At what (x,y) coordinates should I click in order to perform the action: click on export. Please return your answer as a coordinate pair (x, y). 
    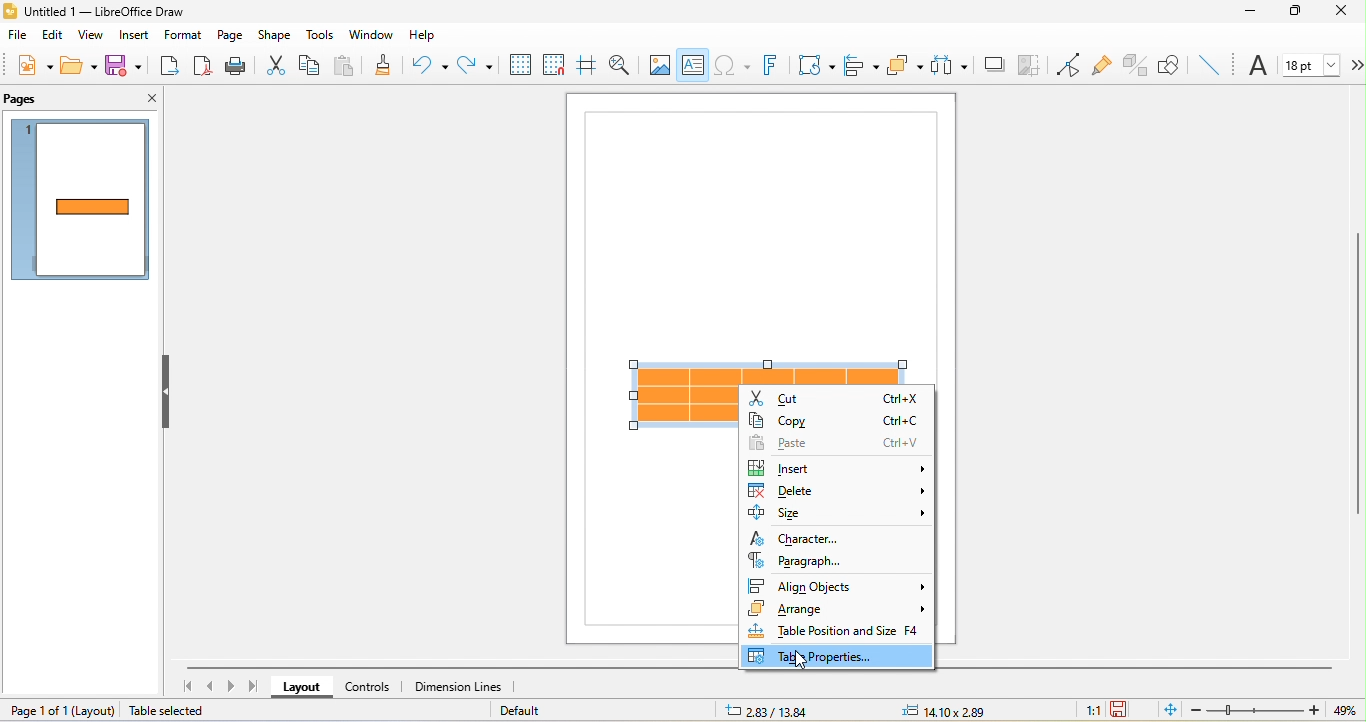
    Looking at the image, I should click on (169, 66).